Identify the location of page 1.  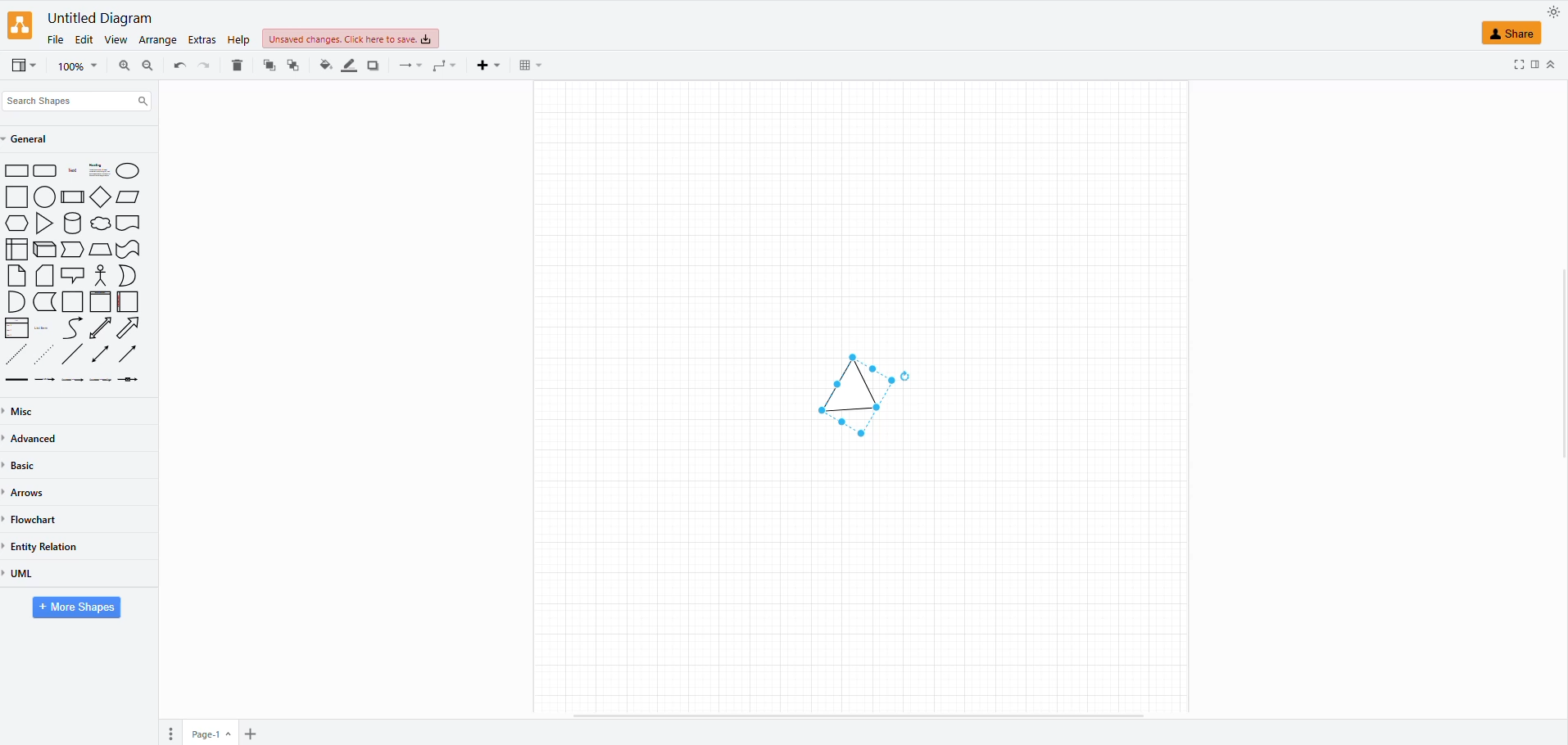
(212, 732).